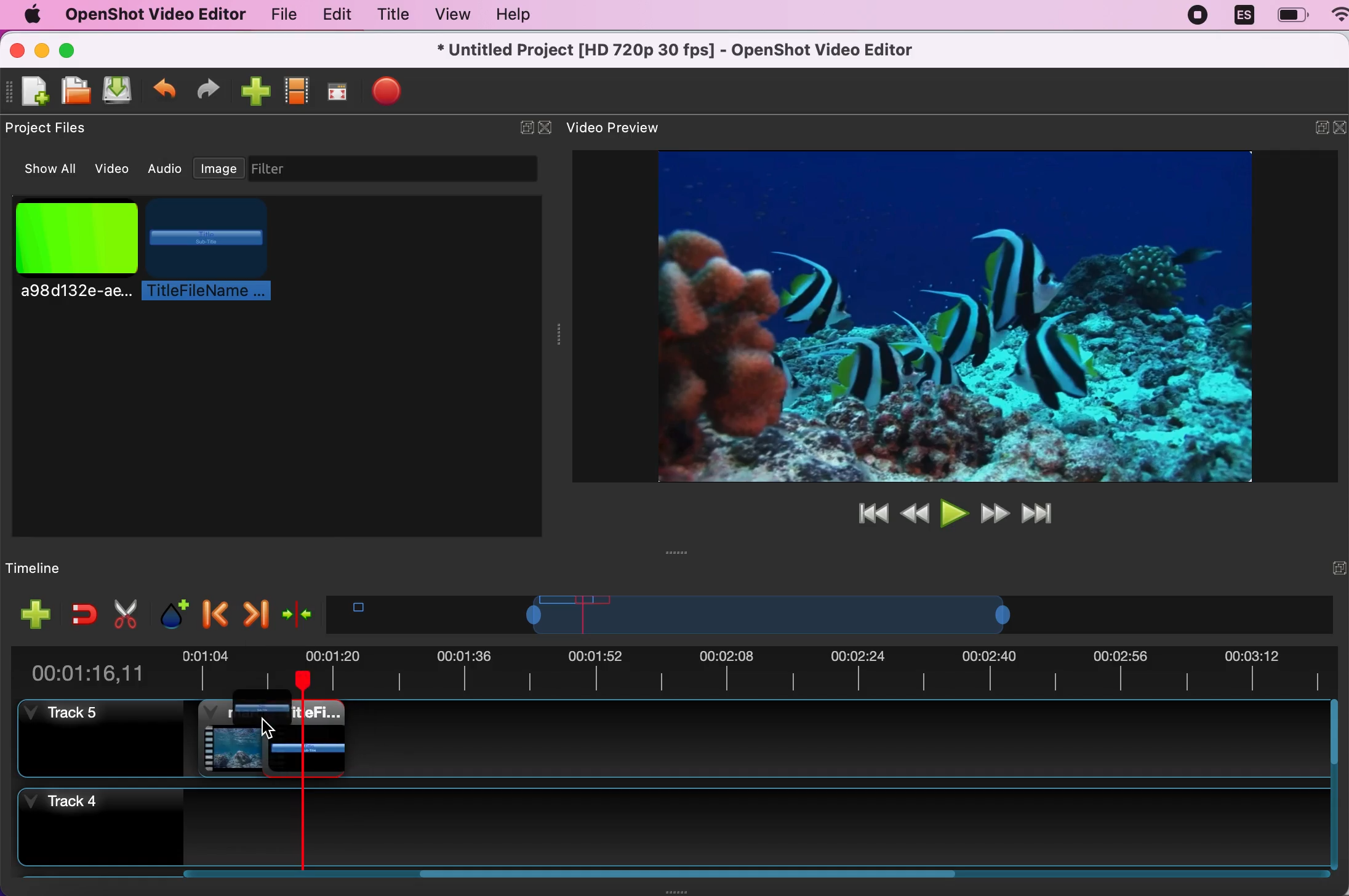 The image size is (1349, 896). Describe the element at coordinates (267, 730) in the screenshot. I see `Cursor` at that location.